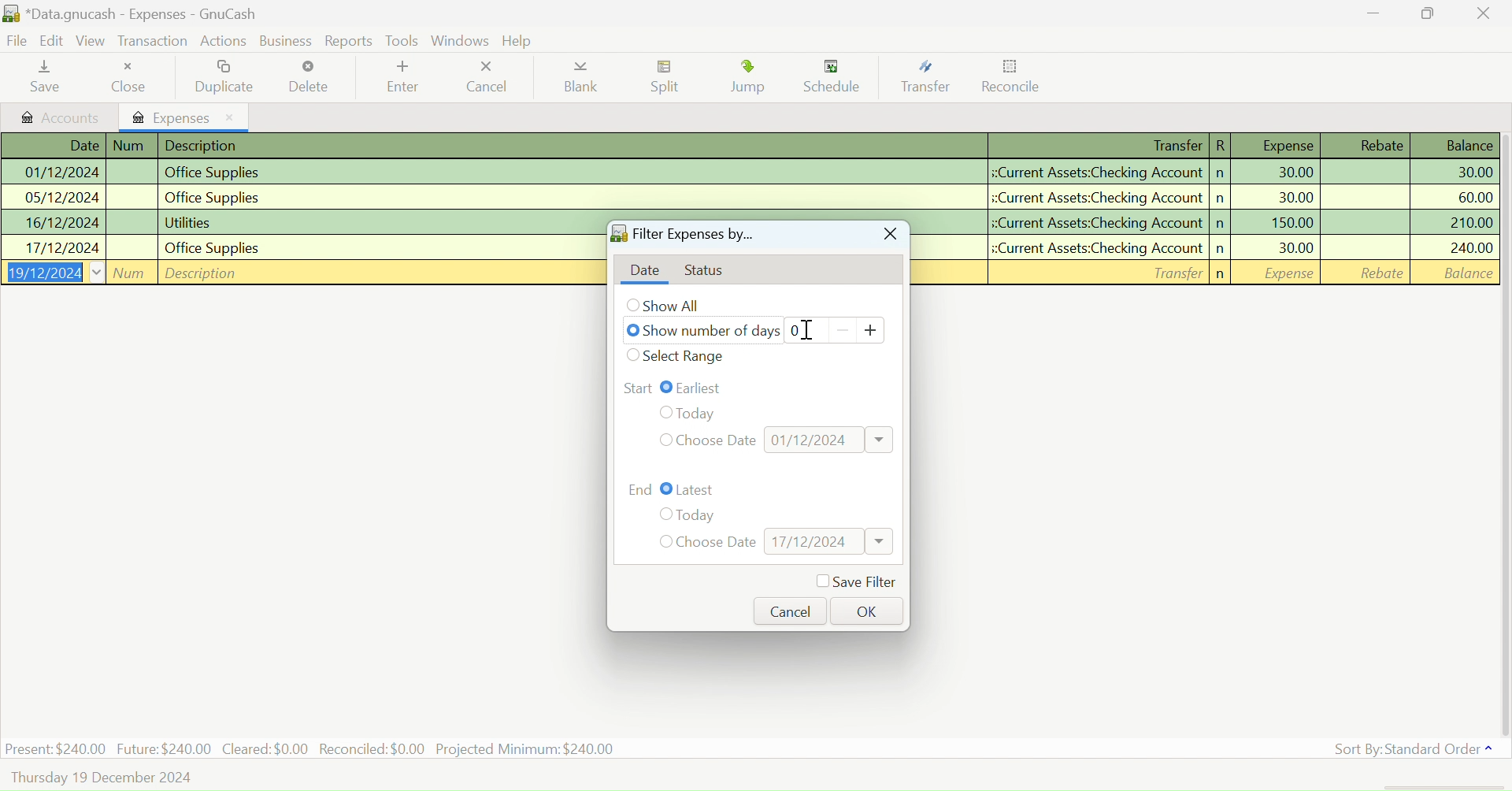 The image size is (1512, 791). I want to click on Date Input, so click(830, 439).